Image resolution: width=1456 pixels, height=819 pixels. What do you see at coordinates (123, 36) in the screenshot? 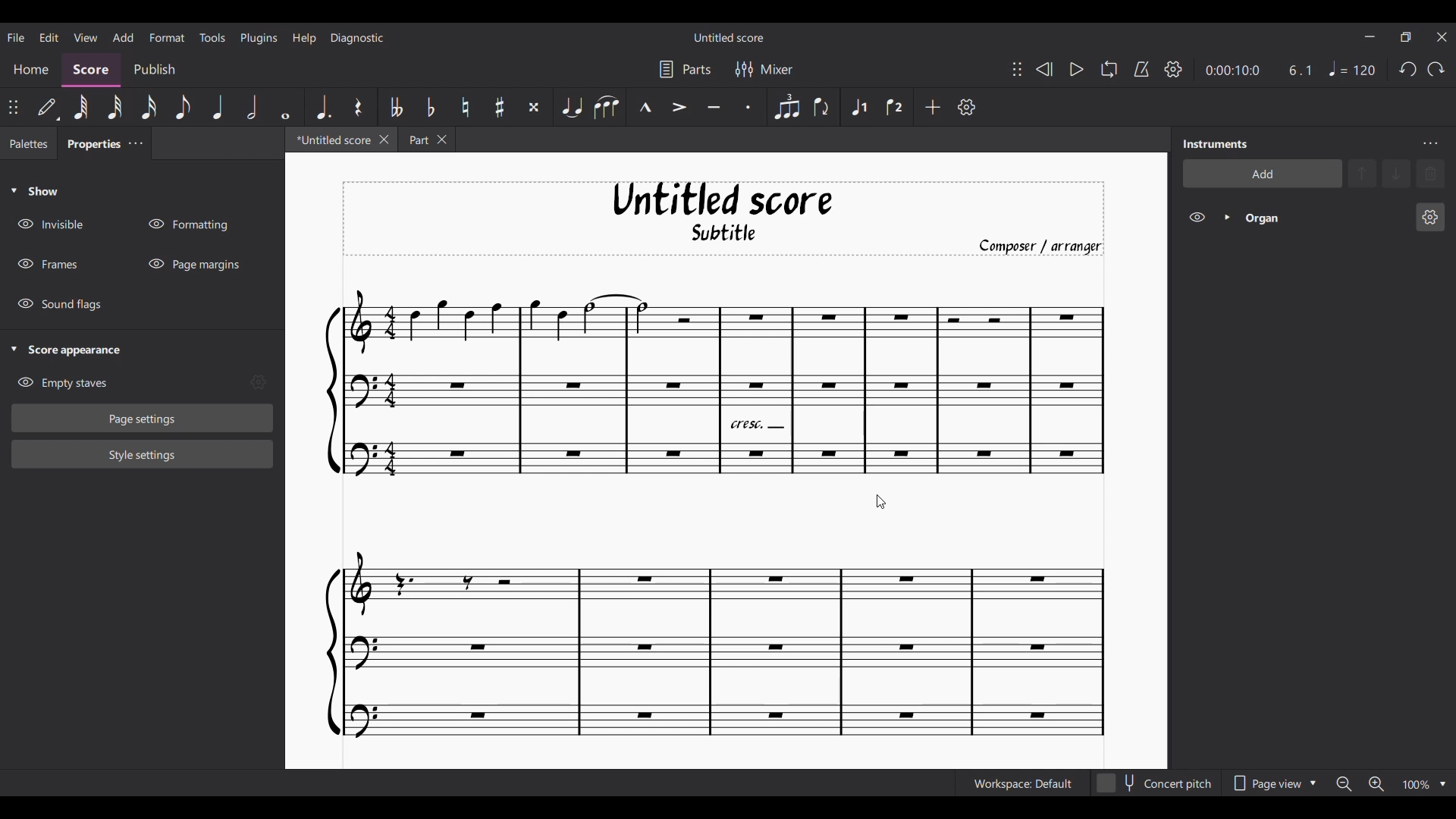
I see `Add menu` at bounding box center [123, 36].